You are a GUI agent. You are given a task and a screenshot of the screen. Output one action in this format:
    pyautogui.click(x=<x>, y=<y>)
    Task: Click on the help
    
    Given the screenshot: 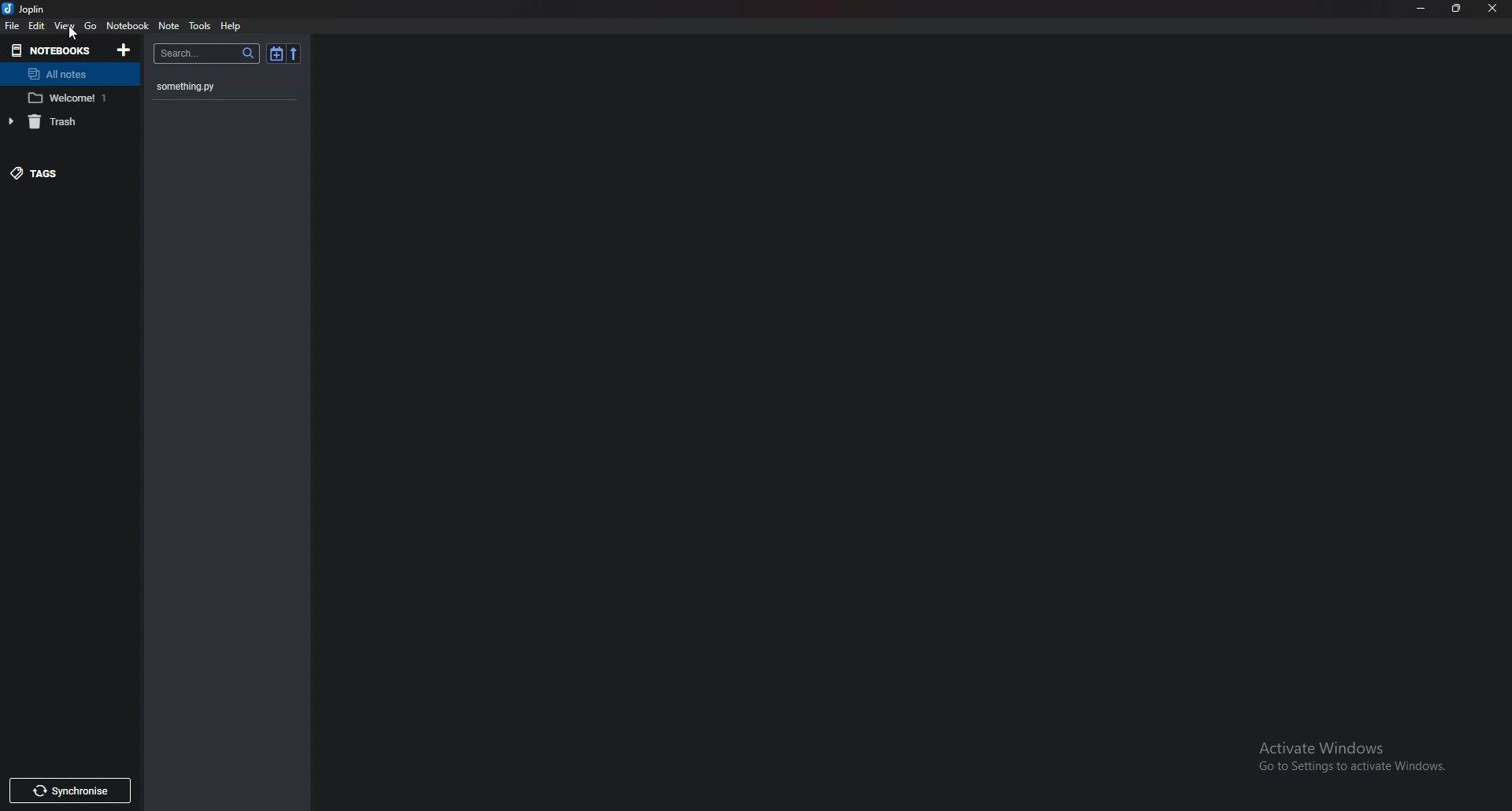 What is the action you would take?
    pyautogui.click(x=232, y=27)
    